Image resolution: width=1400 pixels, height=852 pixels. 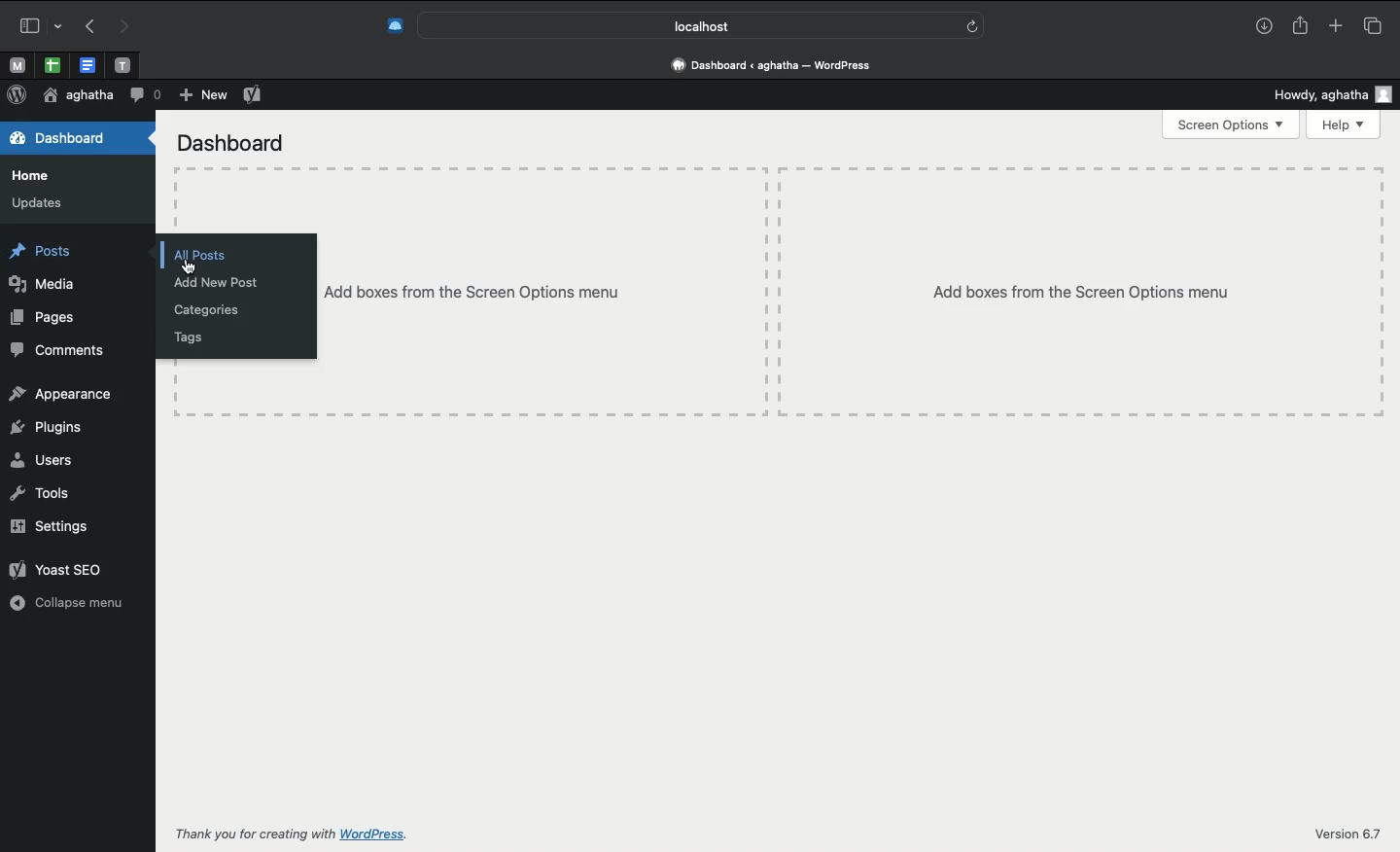 I want to click on Tools, so click(x=39, y=496).